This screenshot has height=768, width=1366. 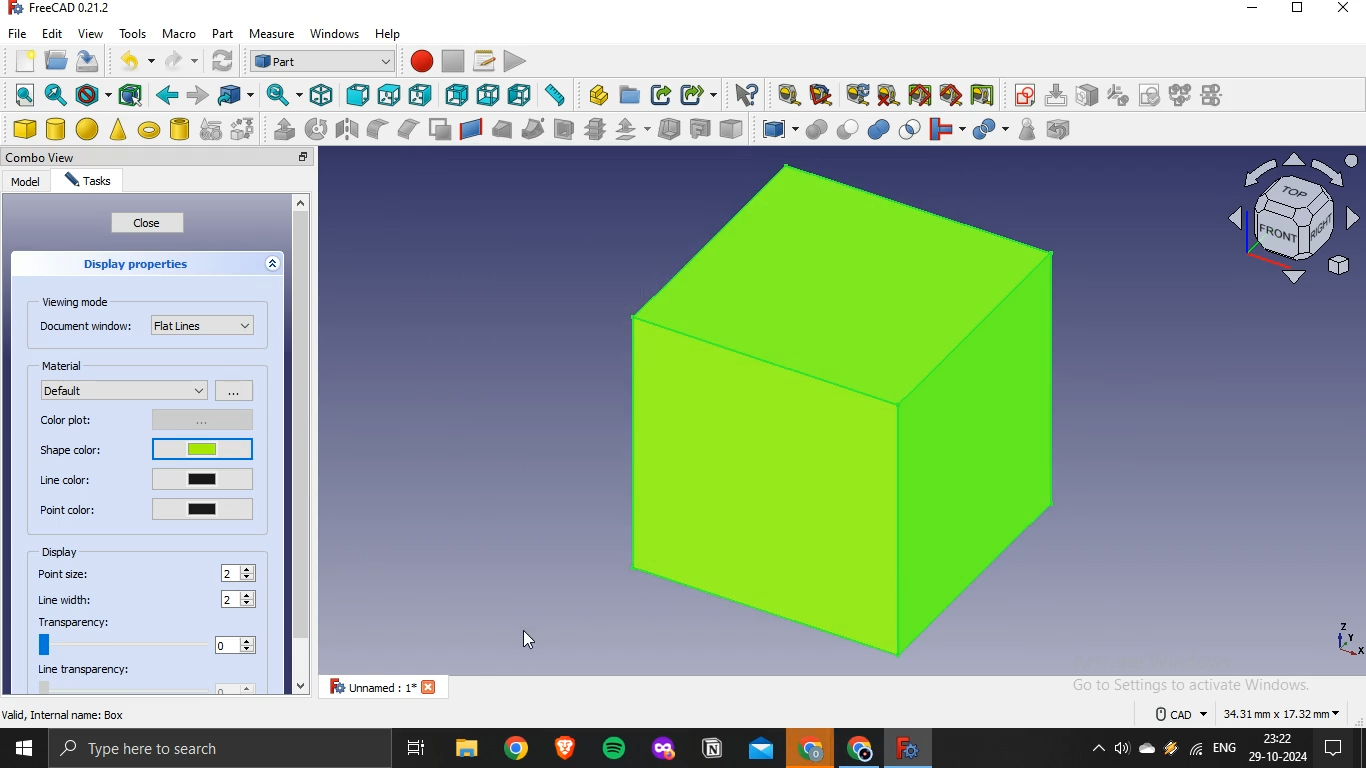 I want to click on type here to search, so click(x=147, y=750).